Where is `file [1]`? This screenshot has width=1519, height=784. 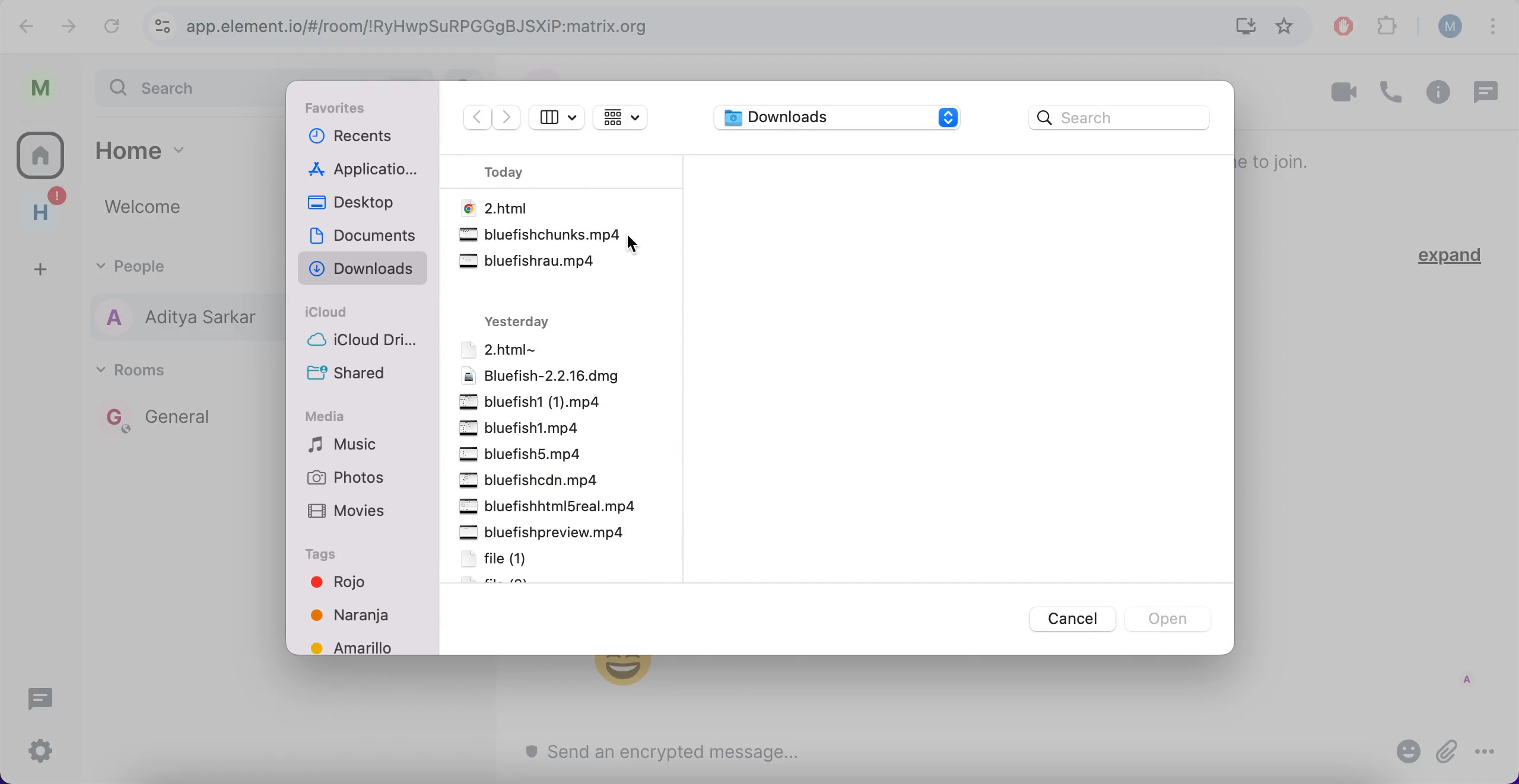
file [1] is located at coordinates (513, 559).